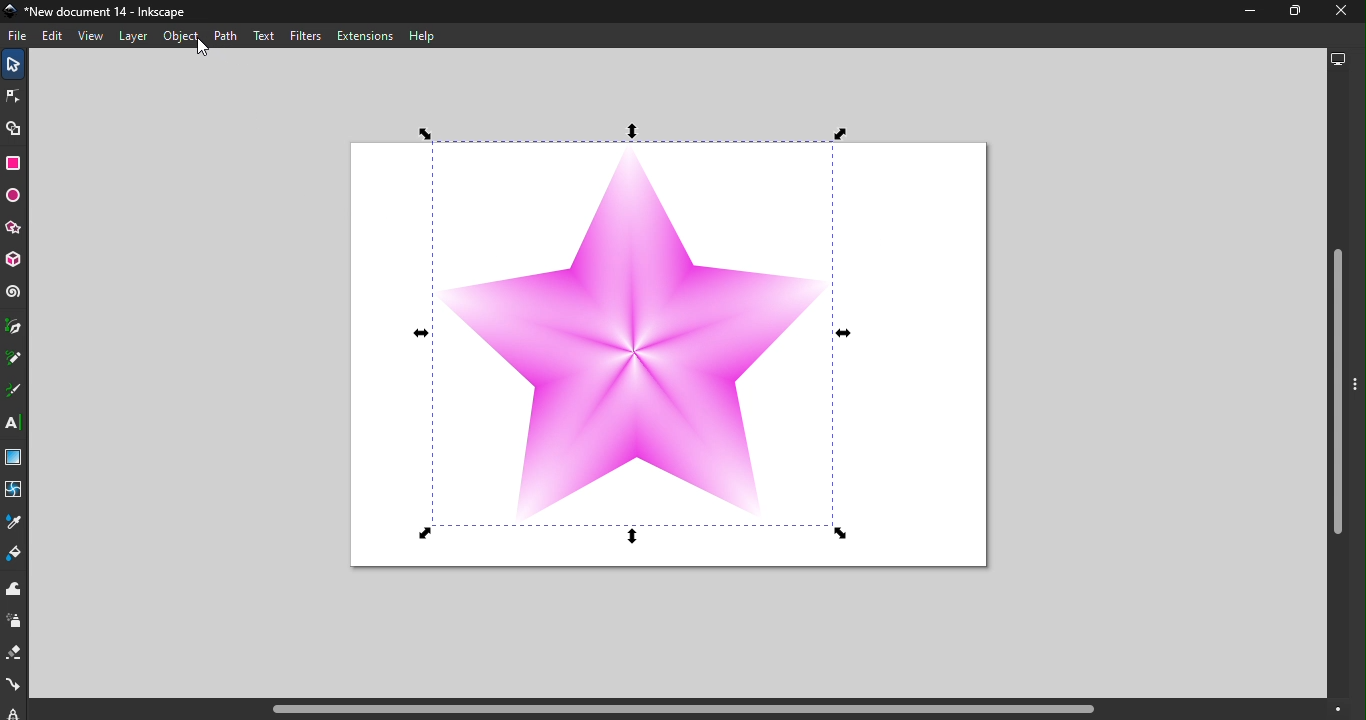 The height and width of the screenshot is (720, 1366). Describe the element at coordinates (13, 490) in the screenshot. I see `Mesh tool` at that location.